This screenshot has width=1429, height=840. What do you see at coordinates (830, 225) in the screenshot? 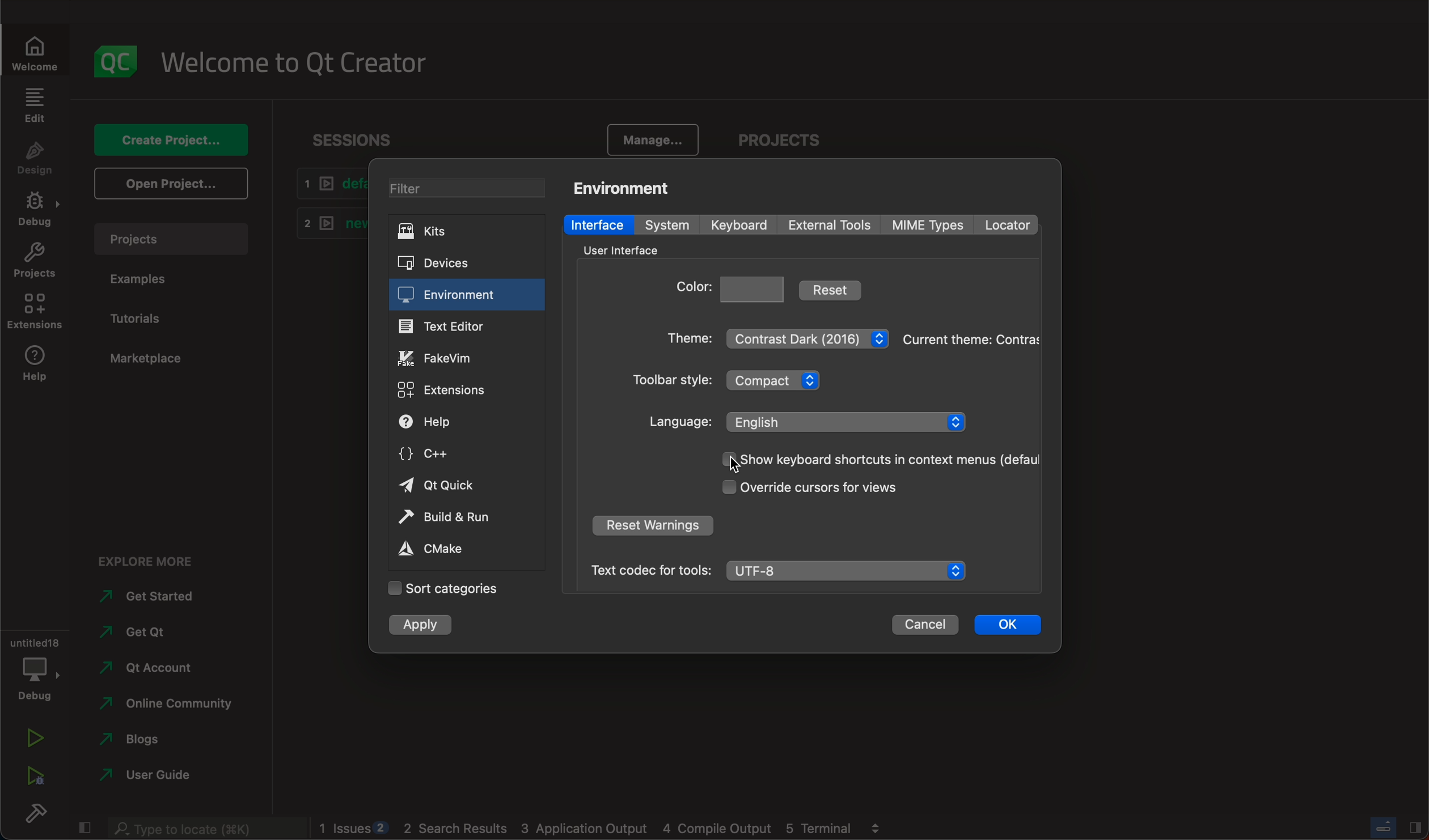
I see `external tools` at bounding box center [830, 225].